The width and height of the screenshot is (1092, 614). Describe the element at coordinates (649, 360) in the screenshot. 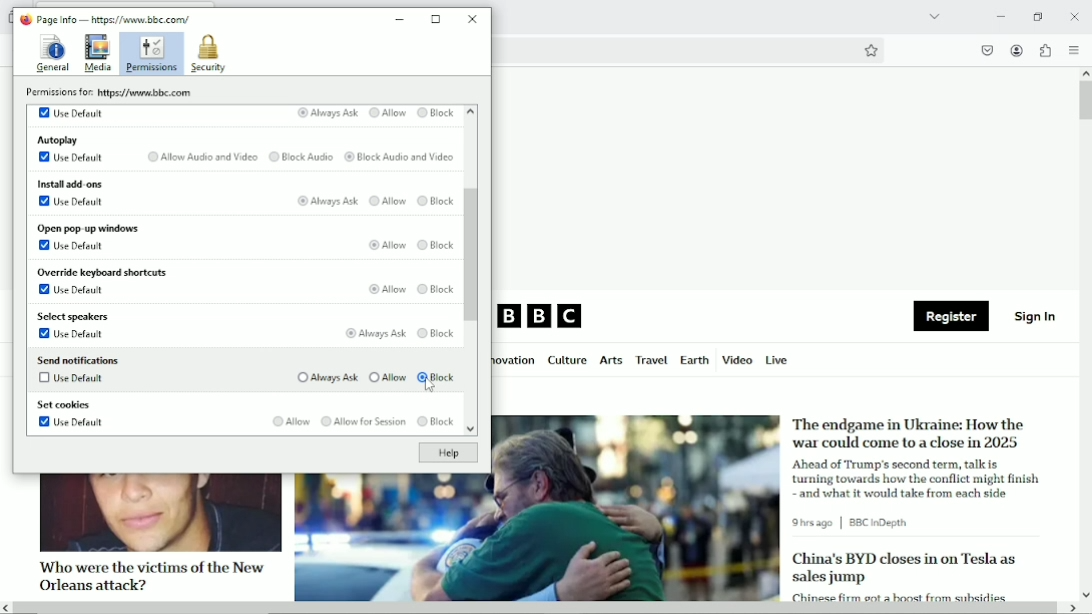

I see `Travel` at that location.